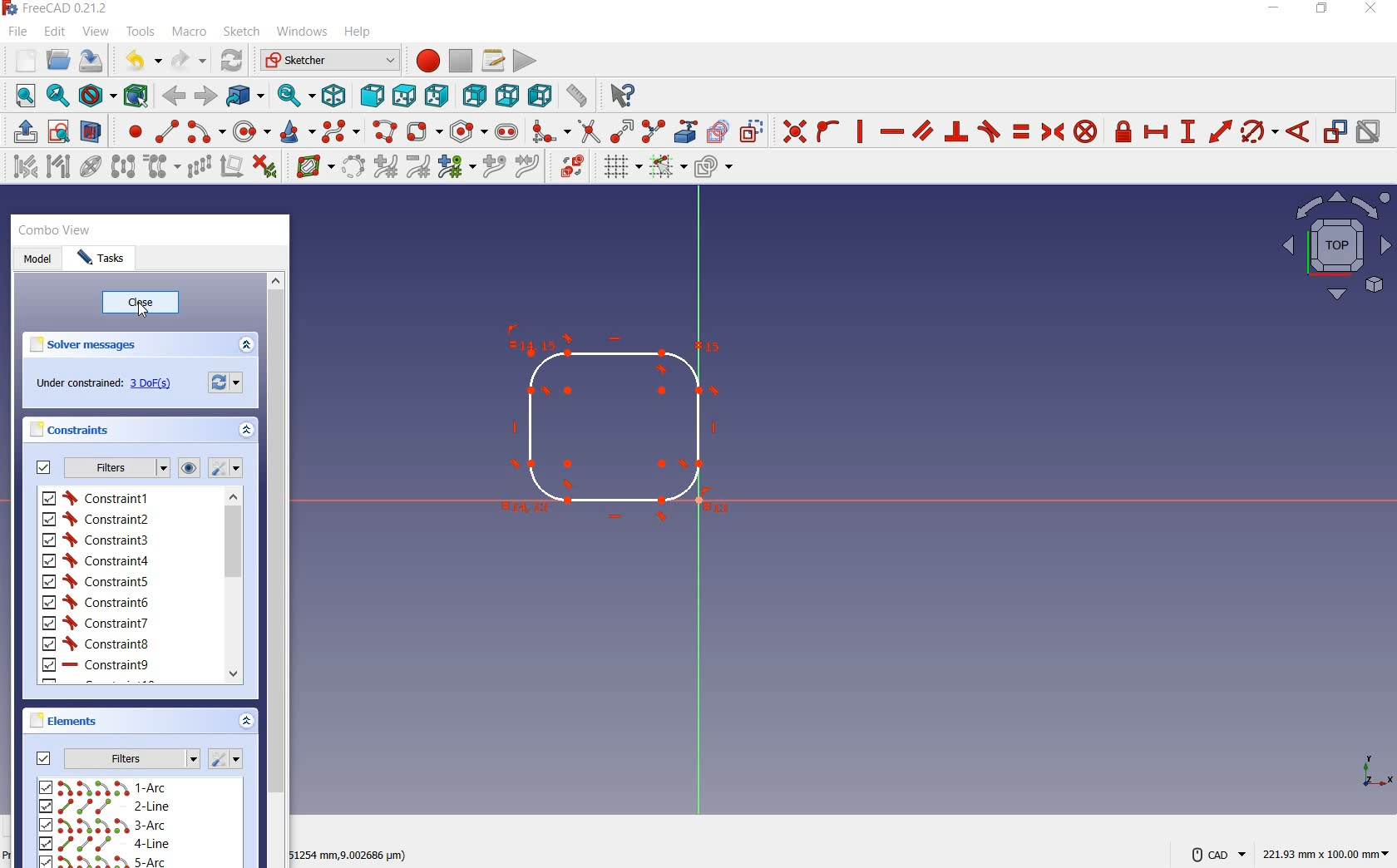 The width and height of the screenshot is (1397, 868). What do you see at coordinates (493, 60) in the screenshot?
I see `macros` at bounding box center [493, 60].